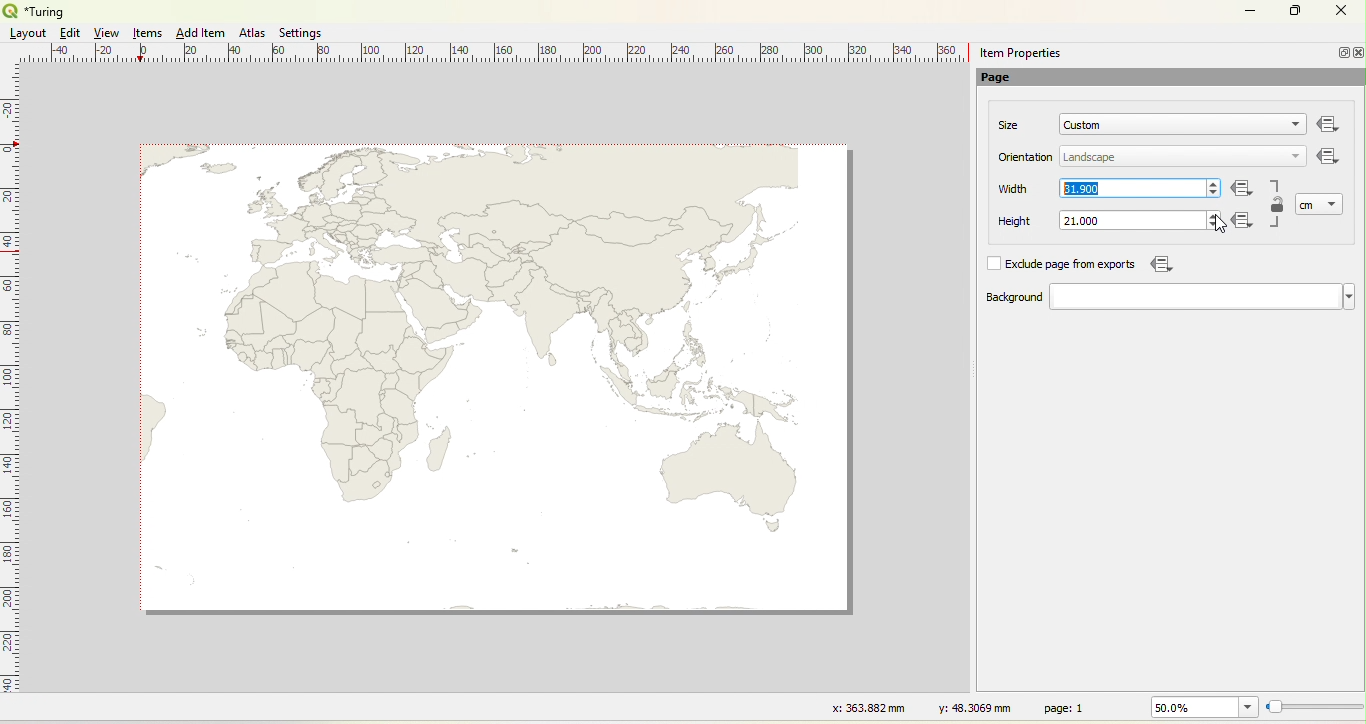 The image size is (1366, 724). Describe the element at coordinates (1201, 707) in the screenshot. I see `50.0%` at that location.